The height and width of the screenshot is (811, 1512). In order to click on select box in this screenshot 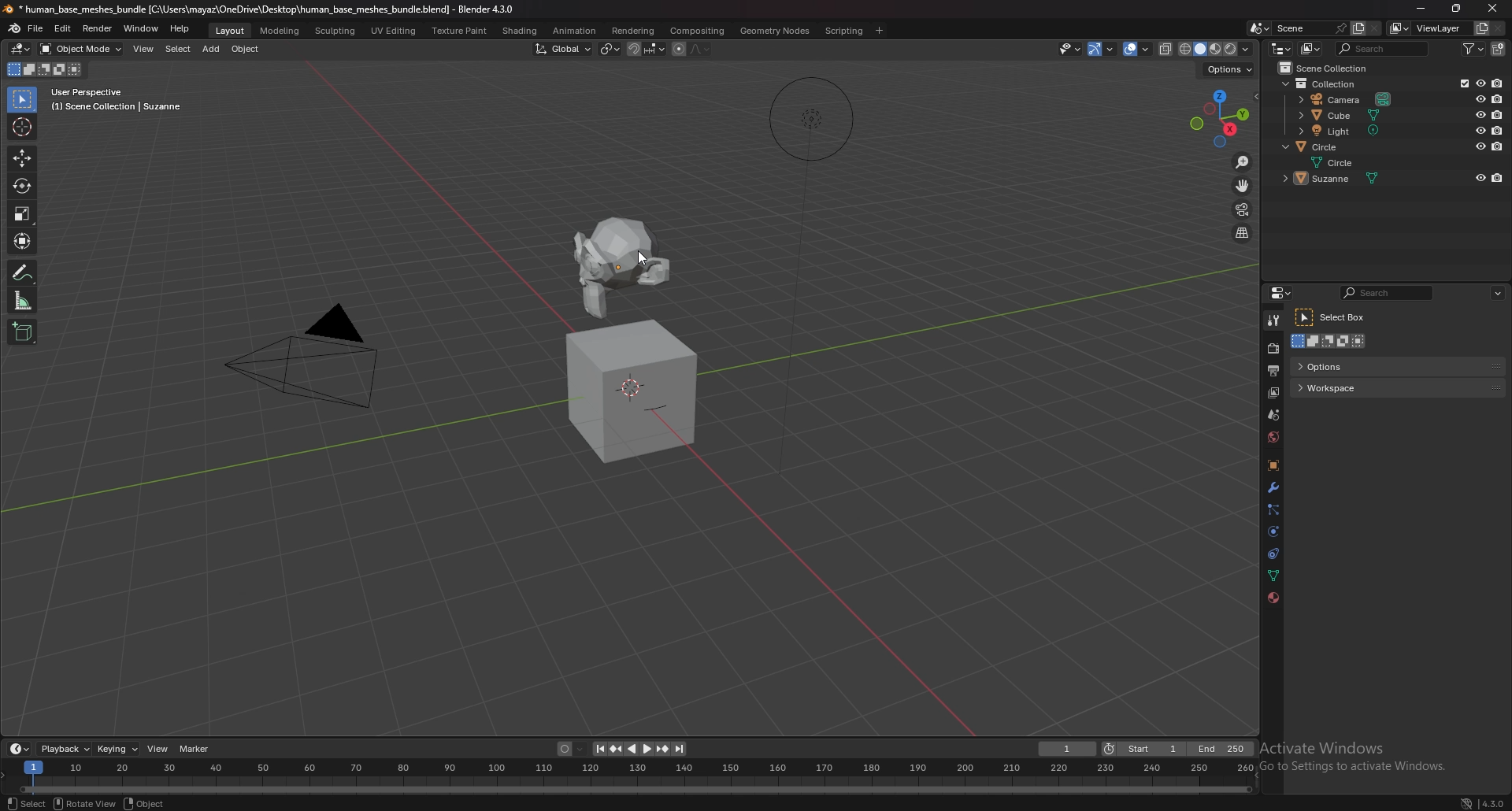, I will do `click(1336, 318)`.